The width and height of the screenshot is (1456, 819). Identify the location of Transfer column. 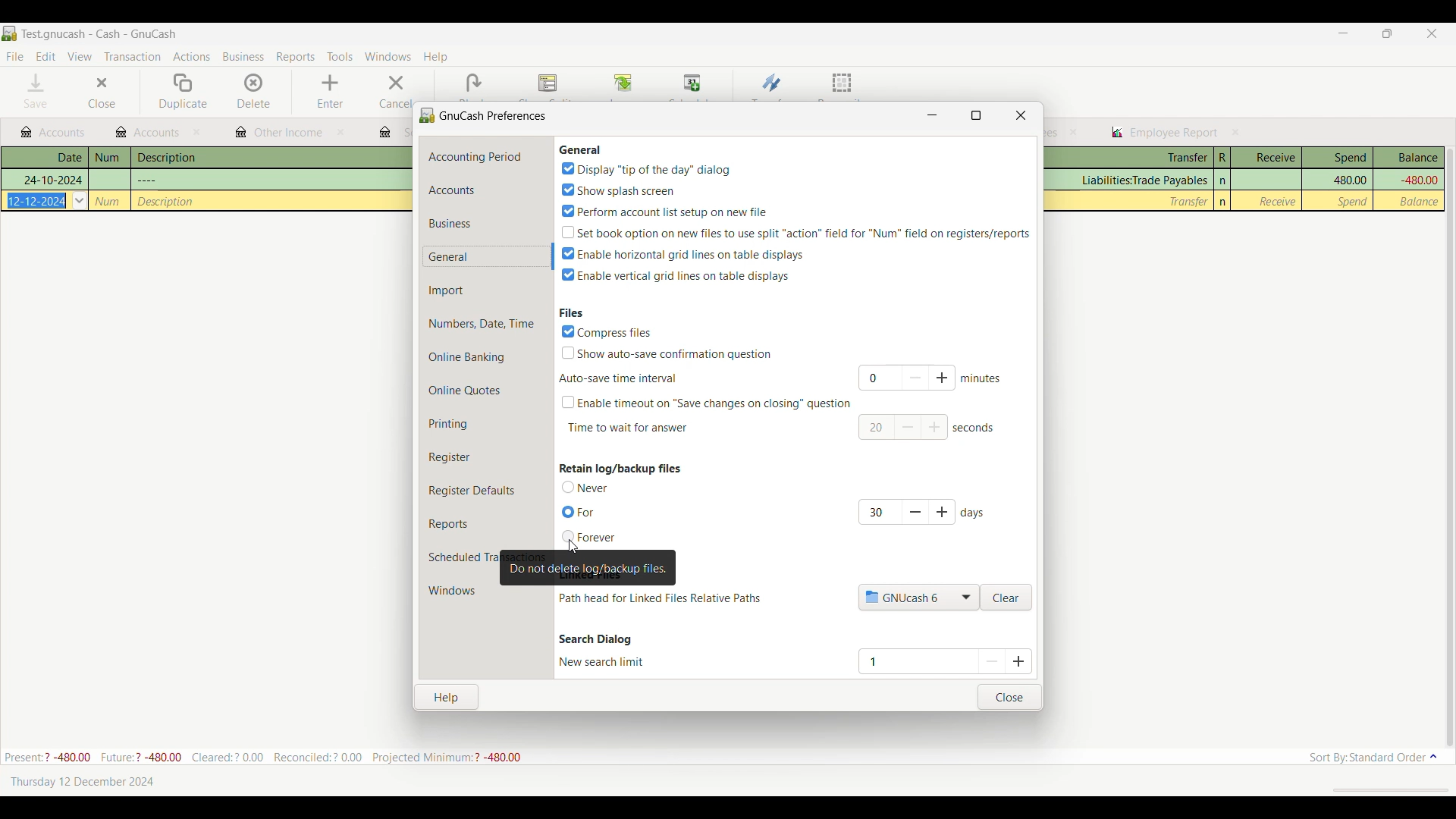
(1142, 180).